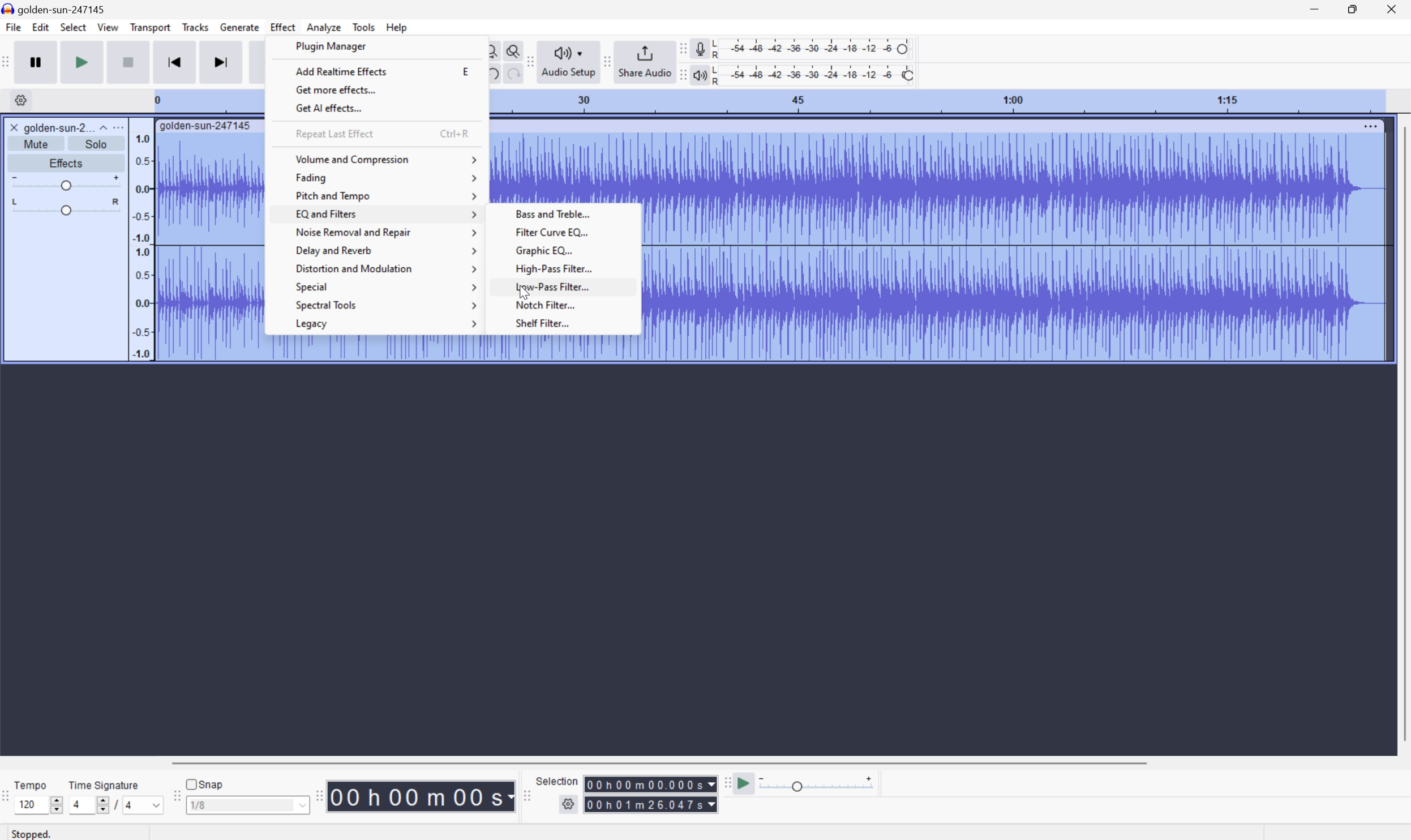 This screenshot has height=840, width=1411. Describe the element at coordinates (1402, 434) in the screenshot. I see `Scroll Bar` at that location.